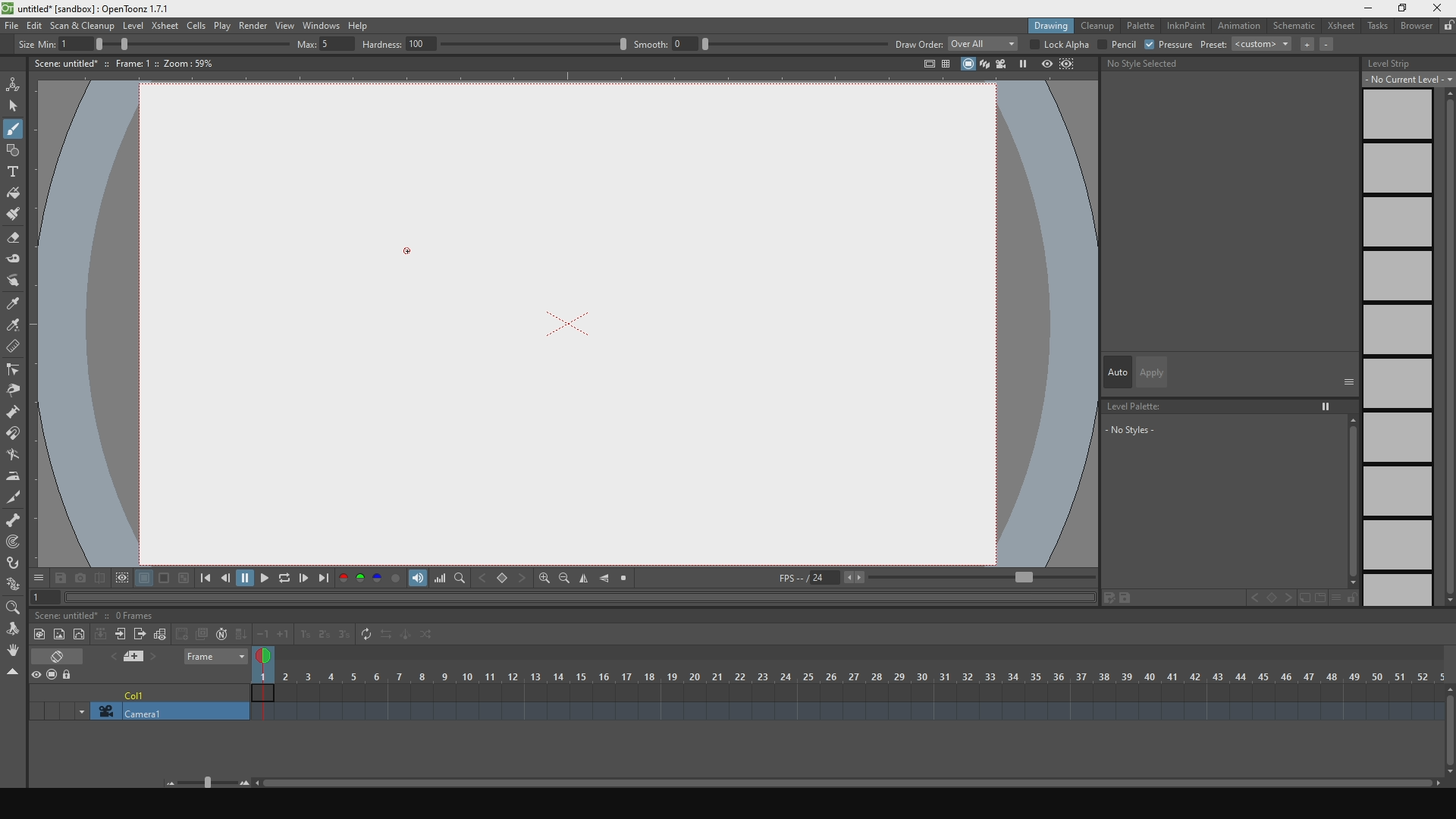 This screenshot has height=819, width=1456. What do you see at coordinates (1399, 350) in the screenshot?
I see `empty slides` at bounding box center [1399, 350].